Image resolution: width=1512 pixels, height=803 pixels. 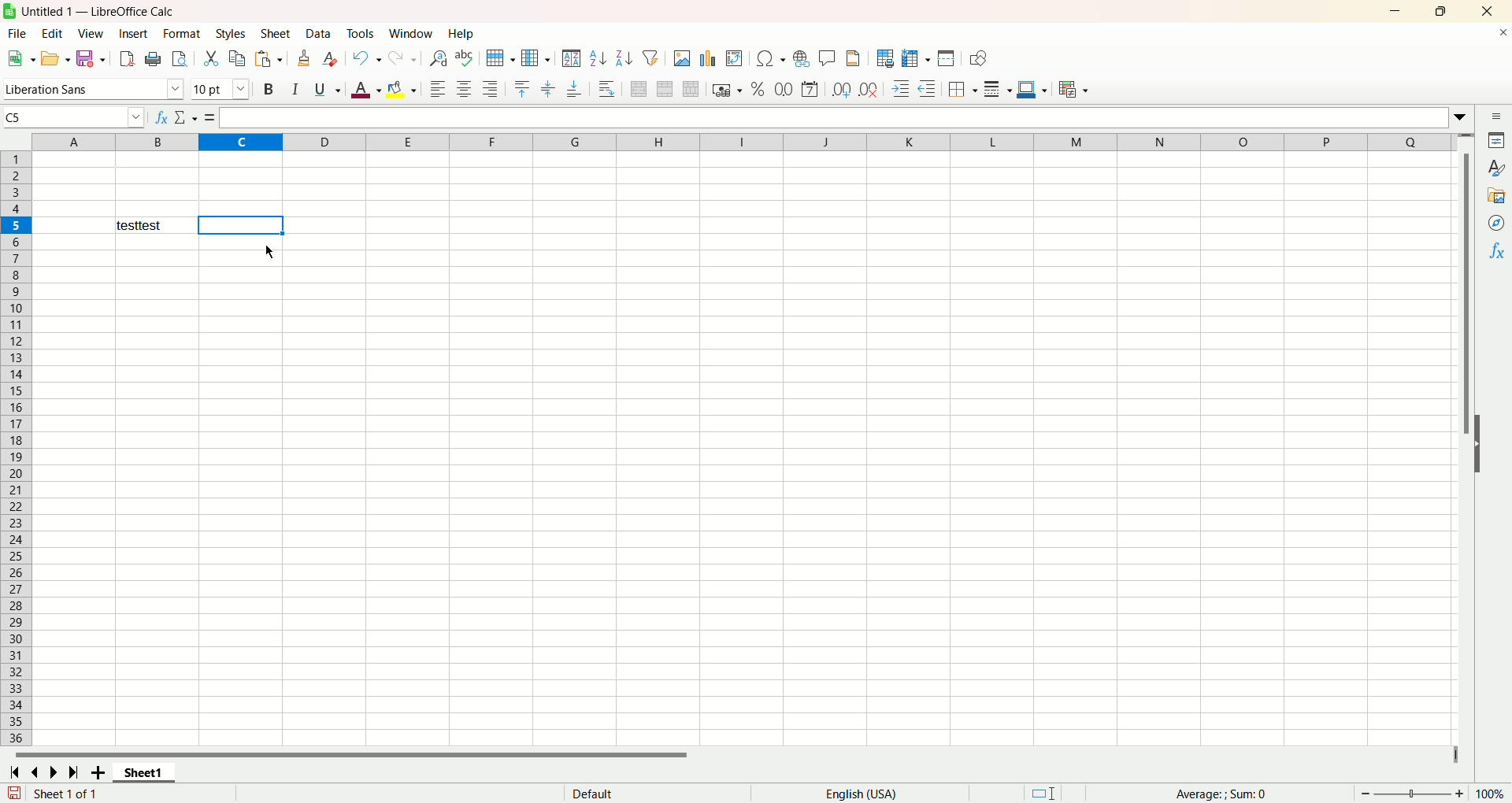 What do you see at coordinates (1488, 11) in the screenshot?
I see `close` at bounding box center [1488, 11].